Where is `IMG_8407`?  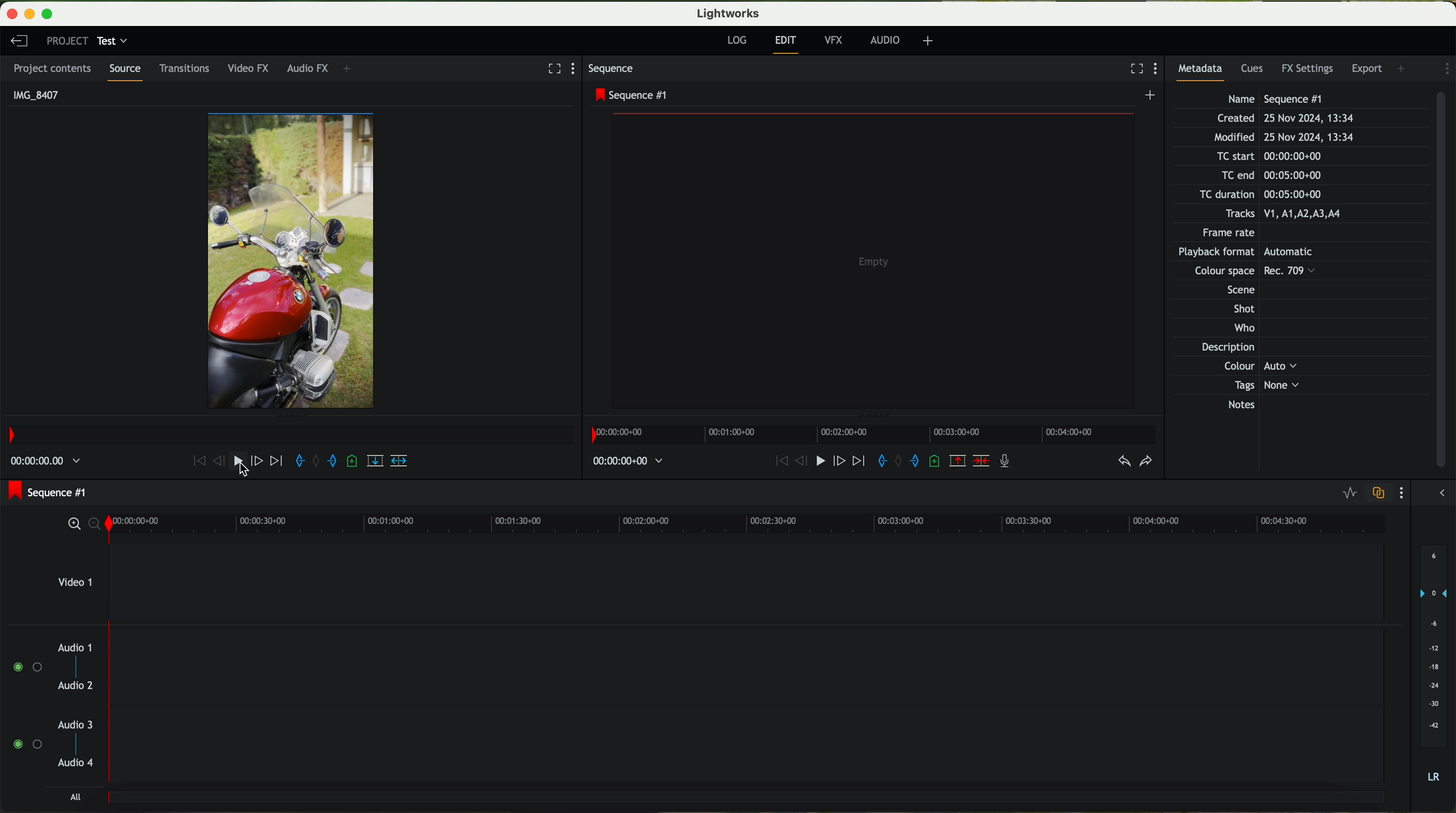 IMG_8407 is located at coordinates (33, 94).